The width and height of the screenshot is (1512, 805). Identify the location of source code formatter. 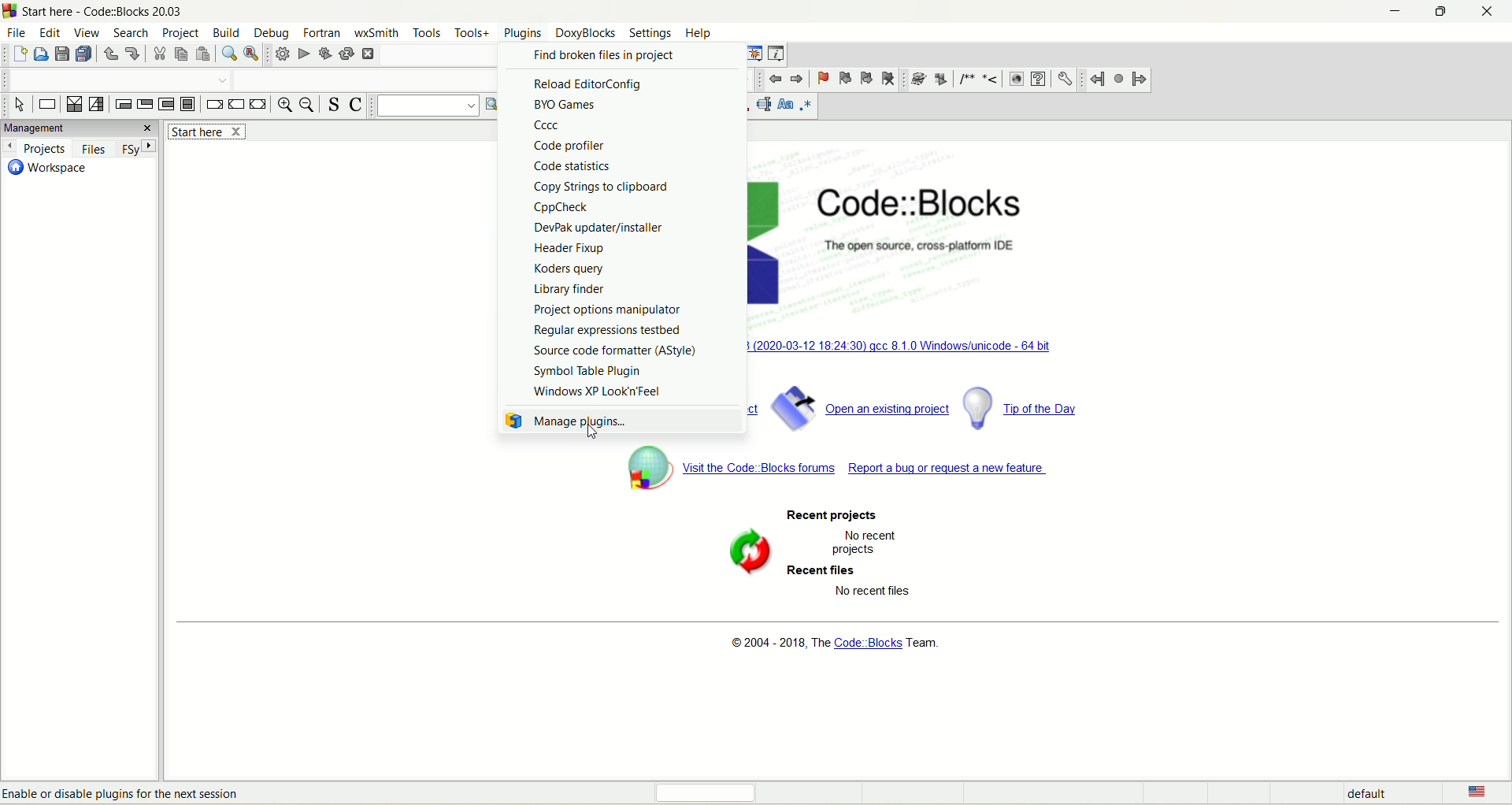
(615, 352).